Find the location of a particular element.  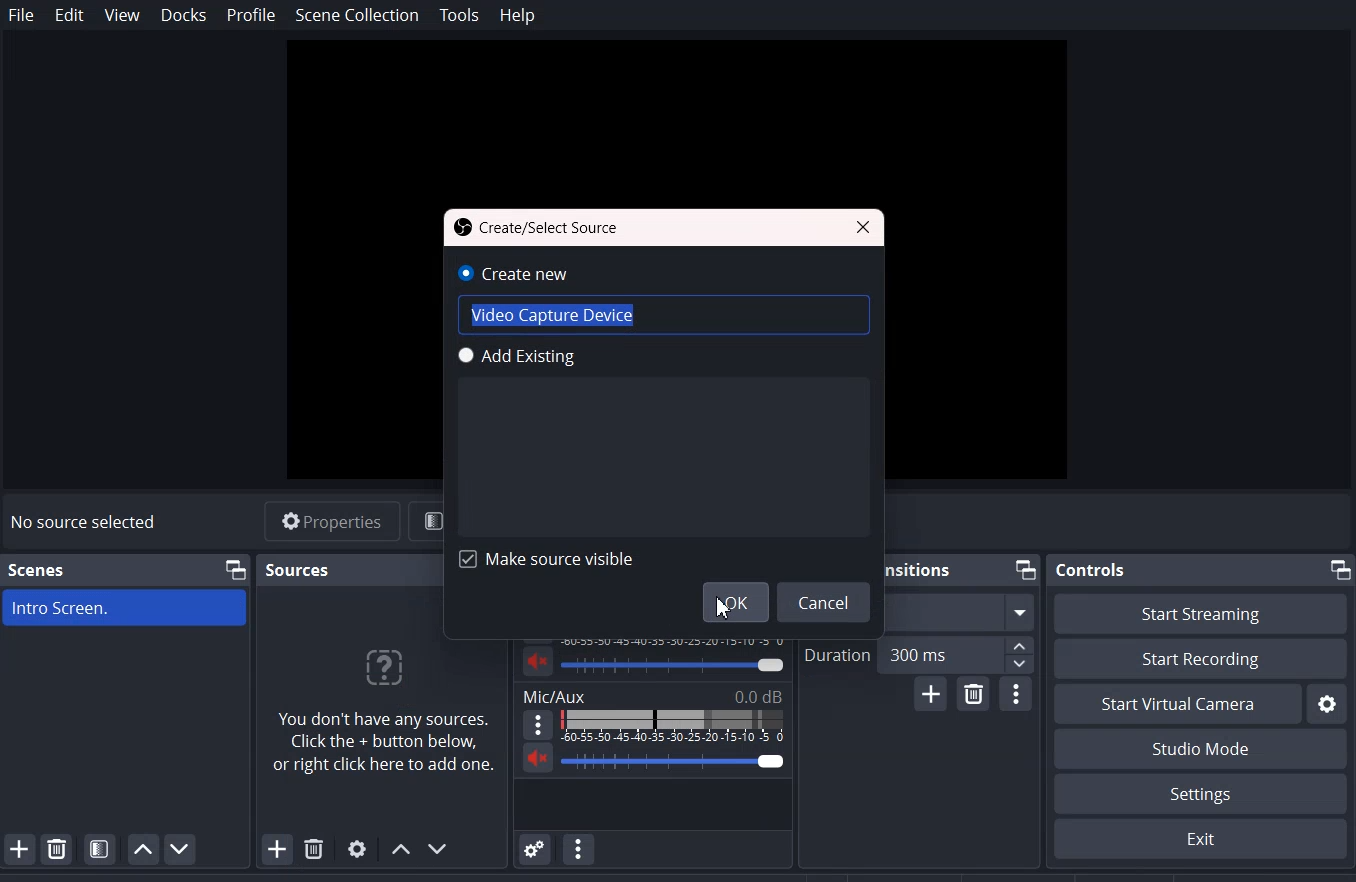

Add Source is located at coordinates (268, 851).